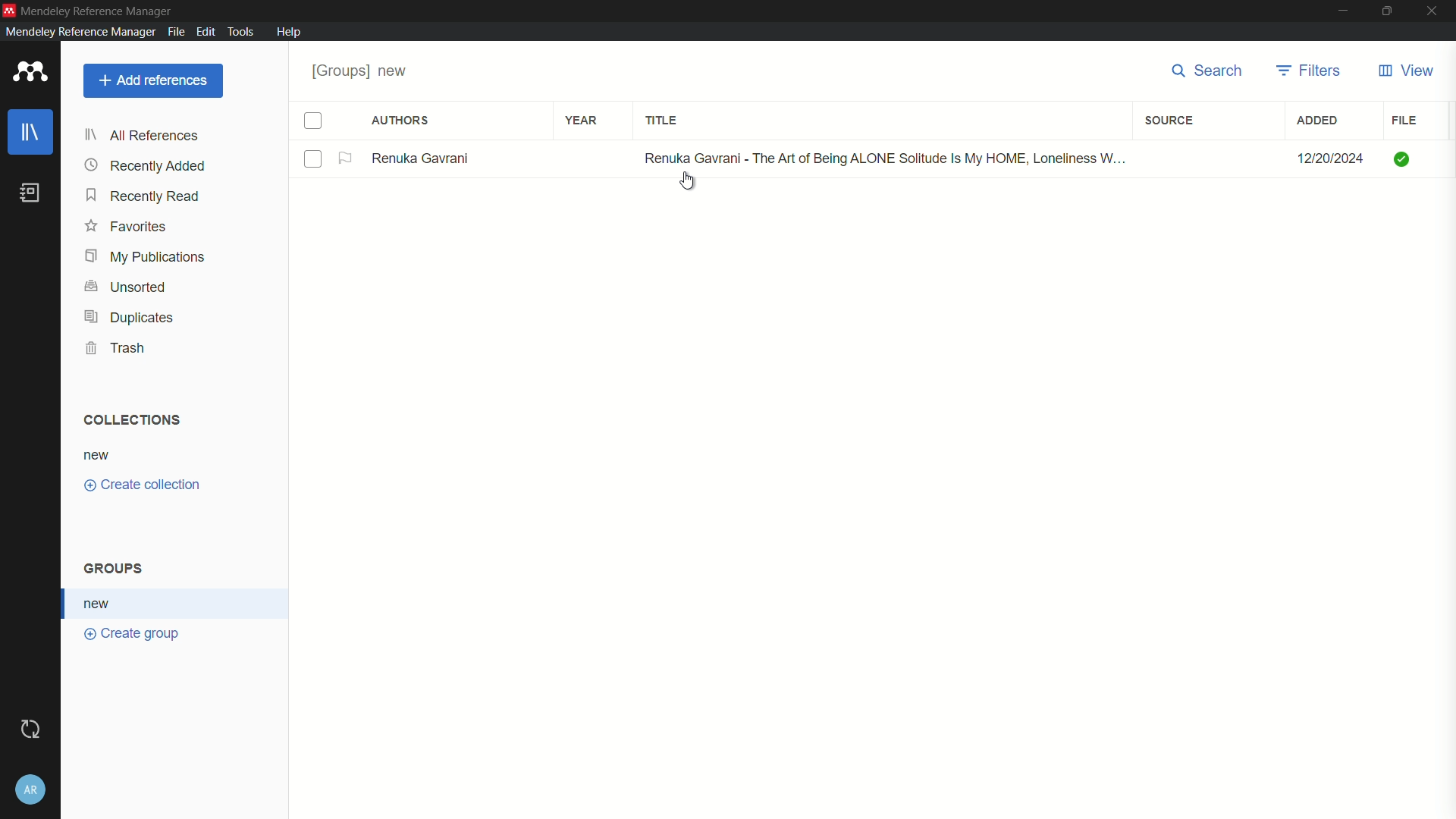 The image size is (1456, 819). What do you see at coordinates (1211, 72) in the screenshot?
I see `search` at bounding box center [1211, 72].